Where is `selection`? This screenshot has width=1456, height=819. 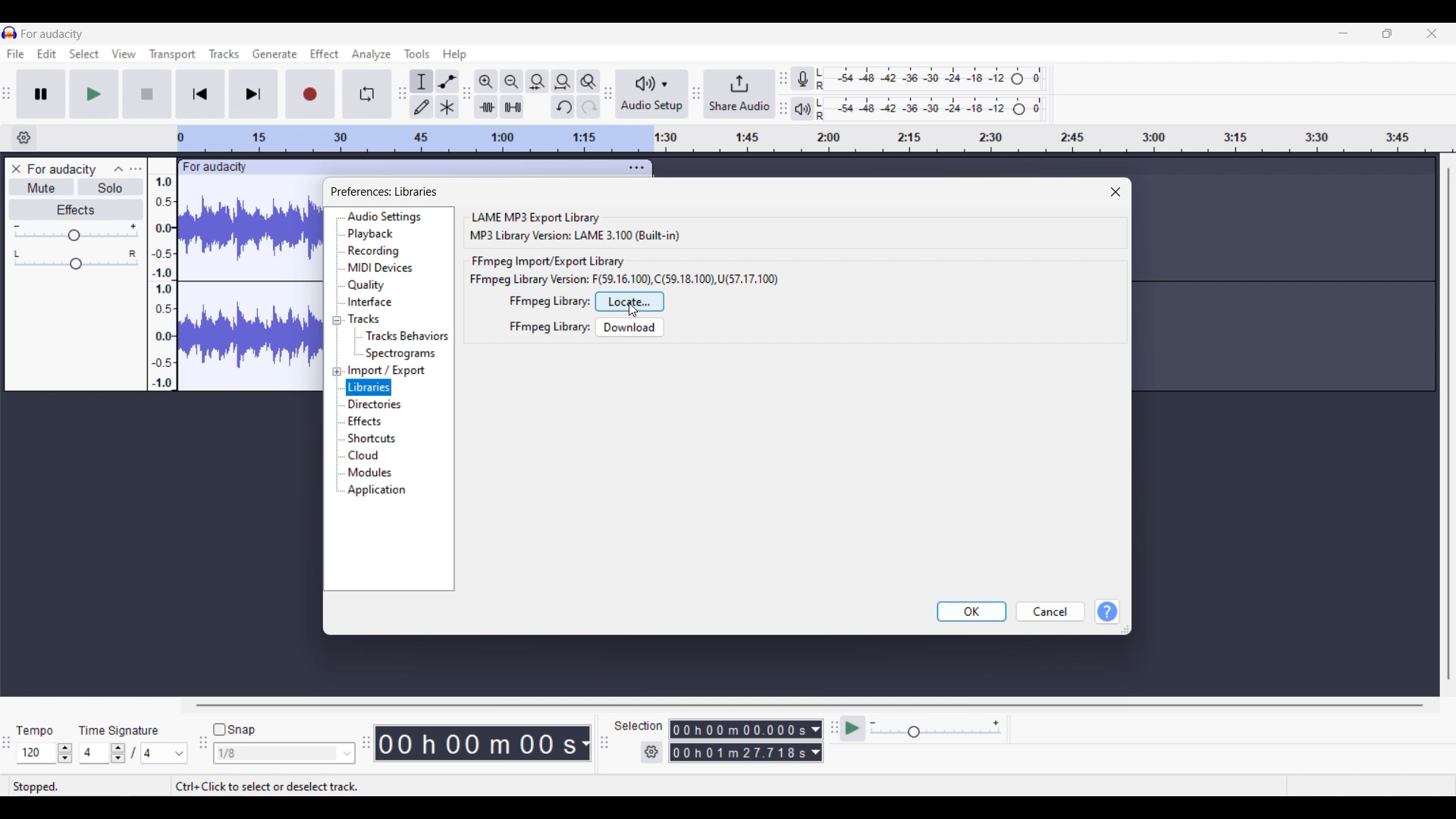
selection is located at coordinates (639, 726).